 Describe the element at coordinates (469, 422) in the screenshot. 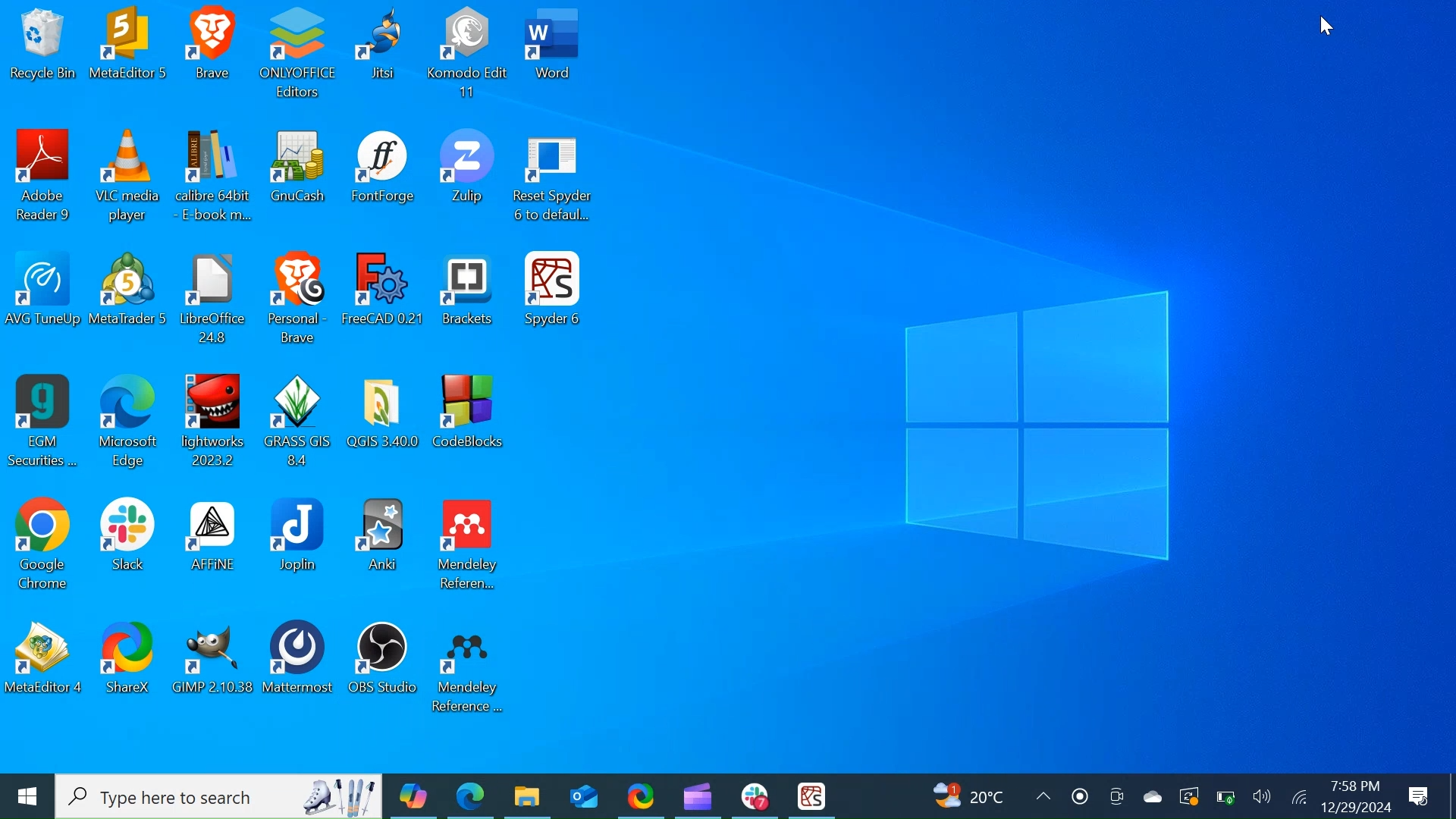

I see `CodeBlock` at that location.